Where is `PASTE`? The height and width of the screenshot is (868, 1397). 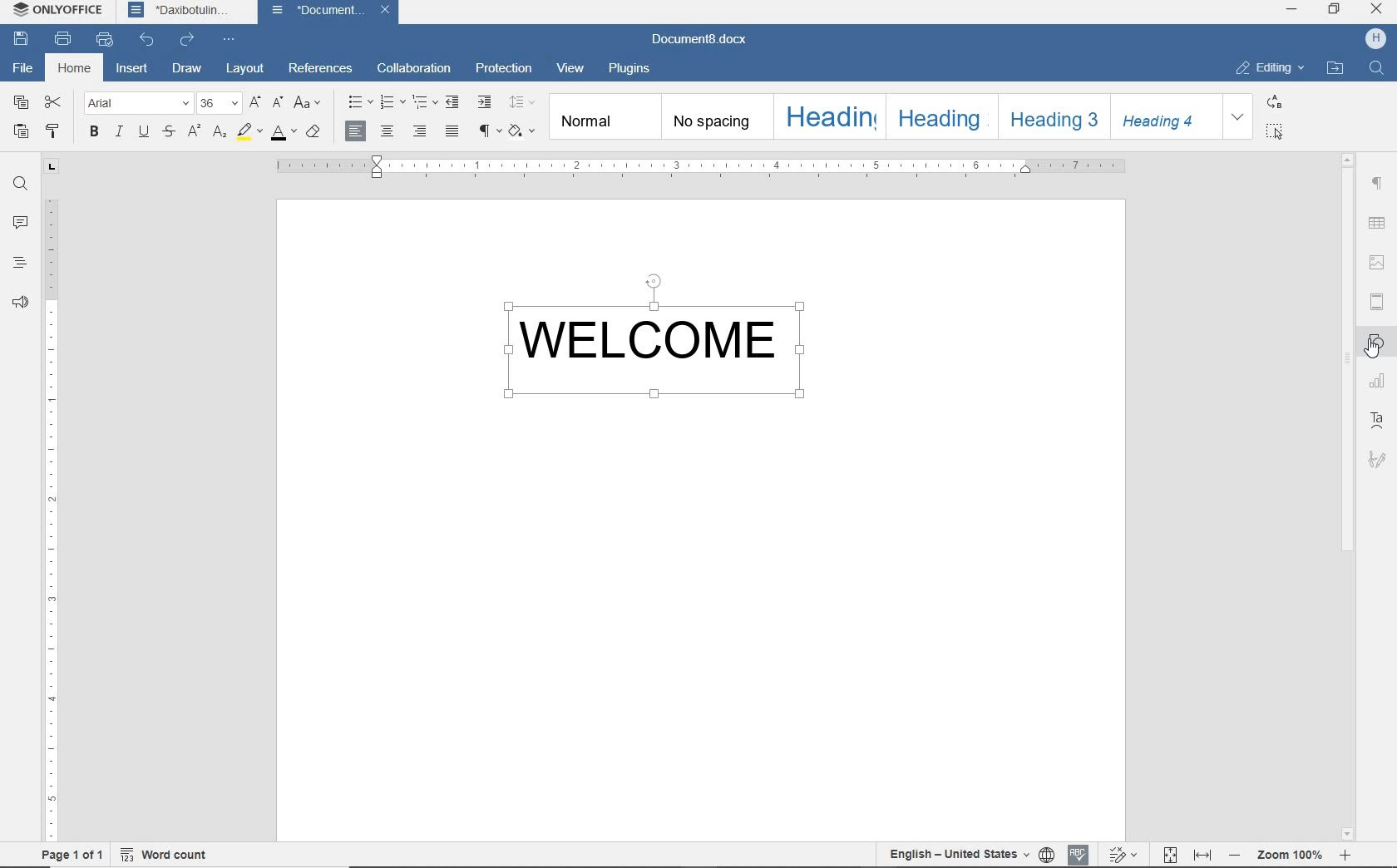
PASTE is located at coordinates (22, 131).